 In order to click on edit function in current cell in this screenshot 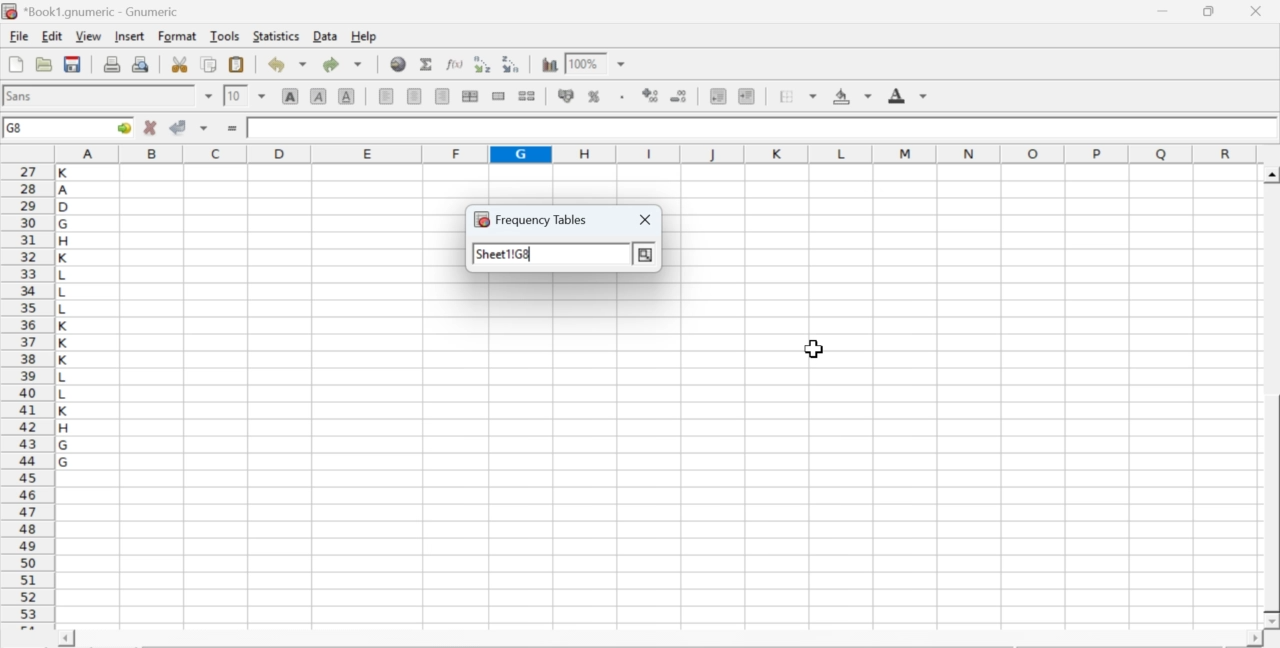, I will do `click(456, 63)`.